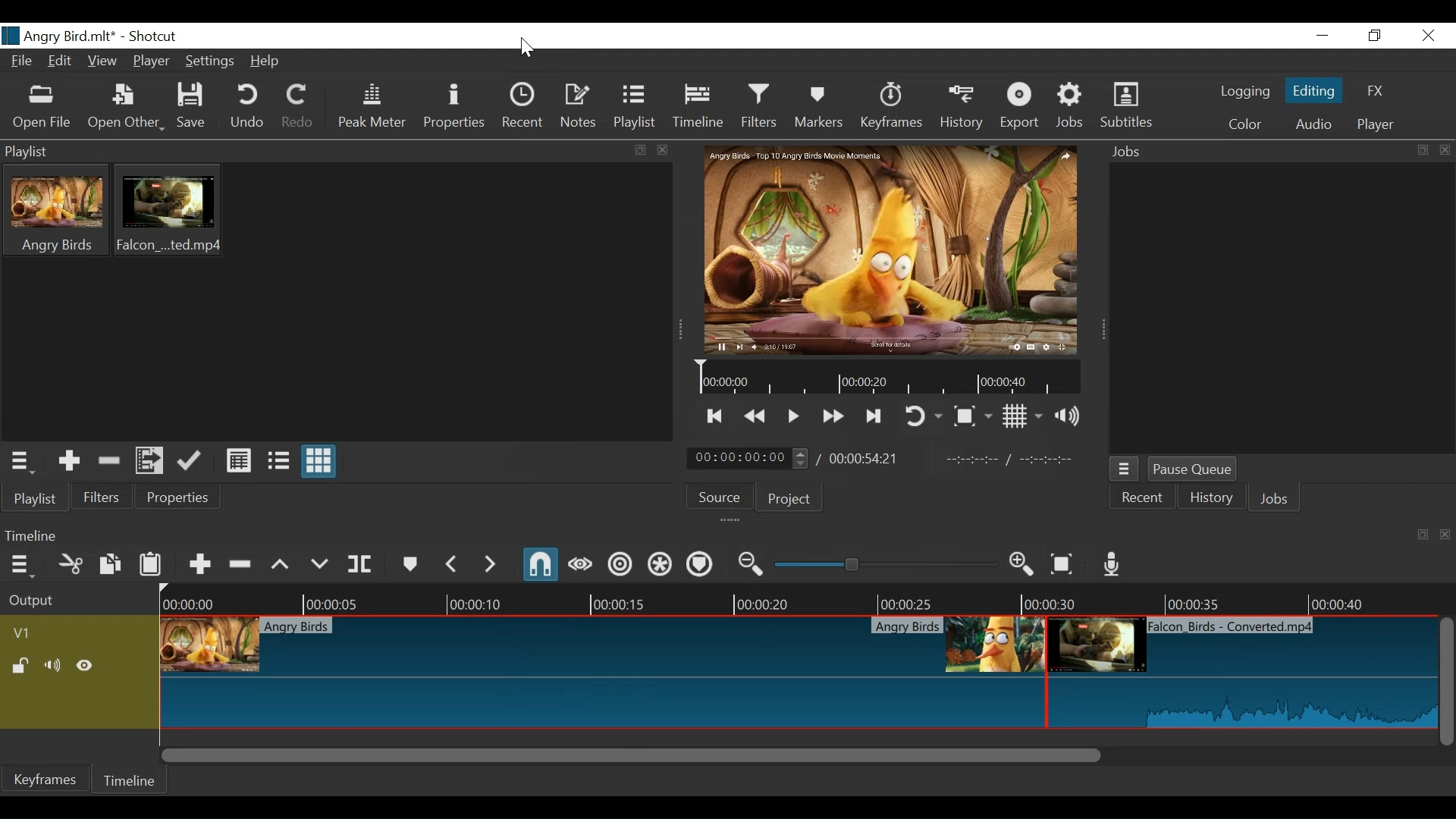 The image size is (1456, 819). Describe the element at coordinates (963, 108) in the screenshot. I see `History` at that location.